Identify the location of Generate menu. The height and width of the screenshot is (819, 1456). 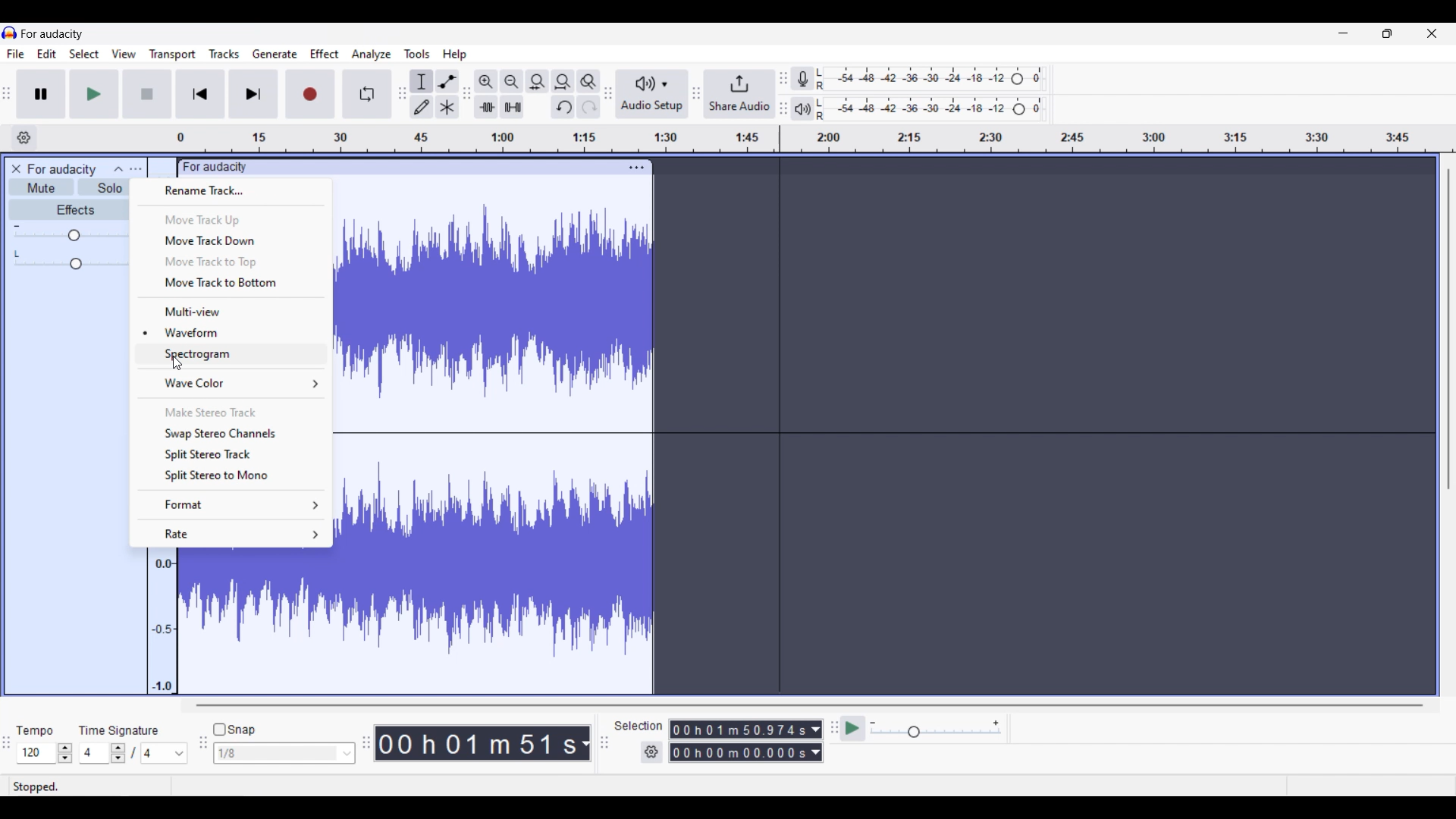
(275, 54).